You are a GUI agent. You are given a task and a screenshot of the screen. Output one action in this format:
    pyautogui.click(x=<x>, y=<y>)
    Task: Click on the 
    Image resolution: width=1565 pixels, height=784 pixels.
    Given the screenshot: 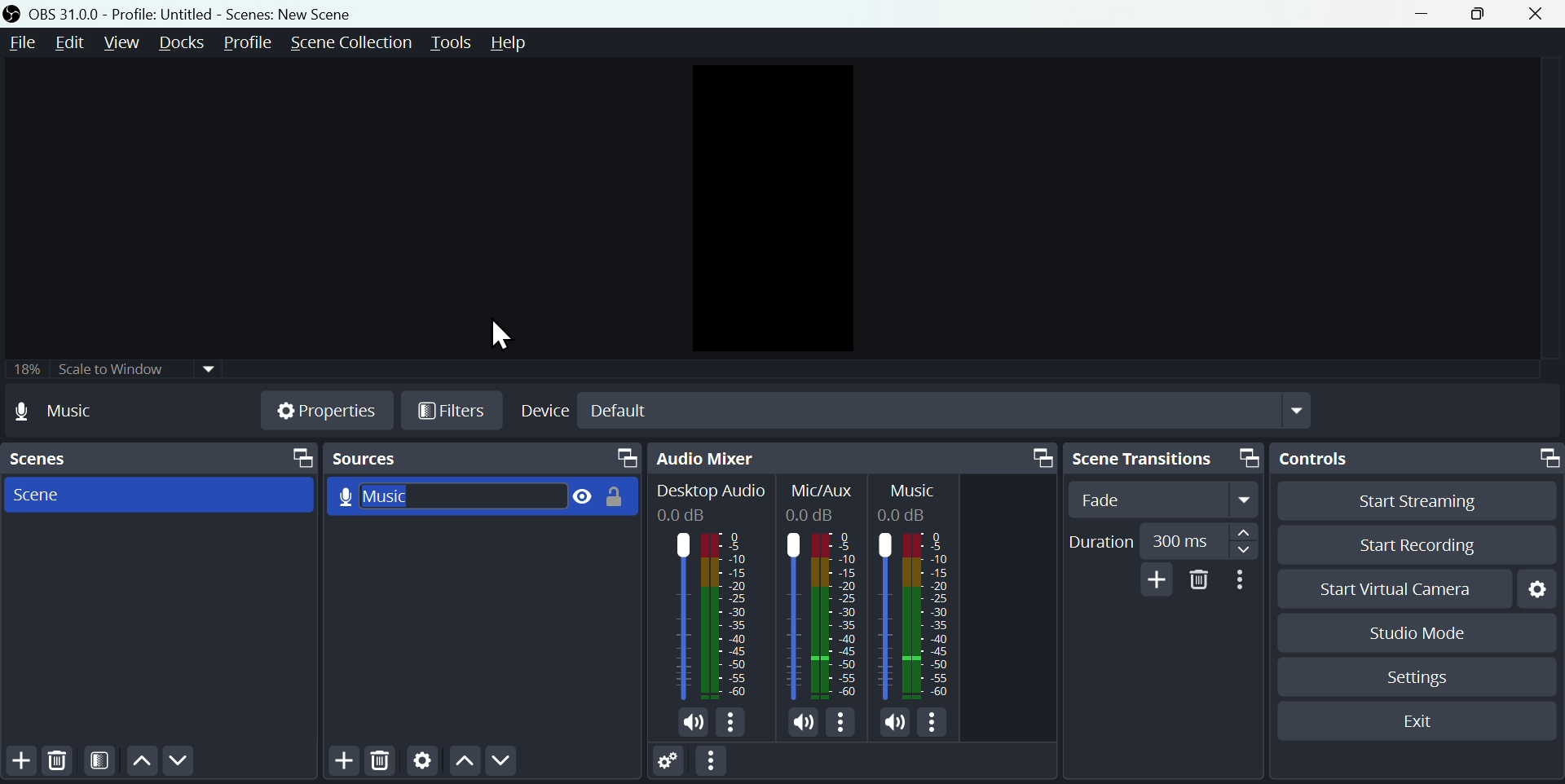 What is the action you would take?
    pyautogui.click(x=915, y=514)
    